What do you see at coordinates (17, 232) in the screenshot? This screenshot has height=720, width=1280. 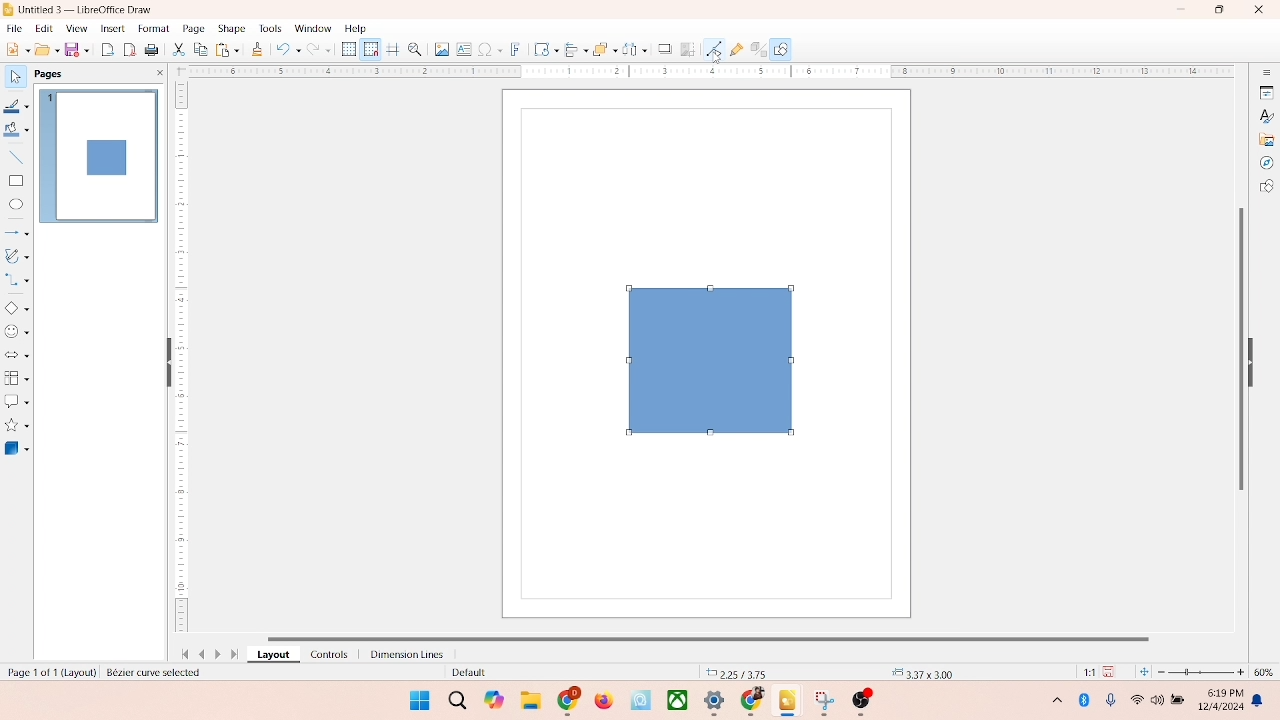 I see `lines and arrows` at bounding box center [17, 232].